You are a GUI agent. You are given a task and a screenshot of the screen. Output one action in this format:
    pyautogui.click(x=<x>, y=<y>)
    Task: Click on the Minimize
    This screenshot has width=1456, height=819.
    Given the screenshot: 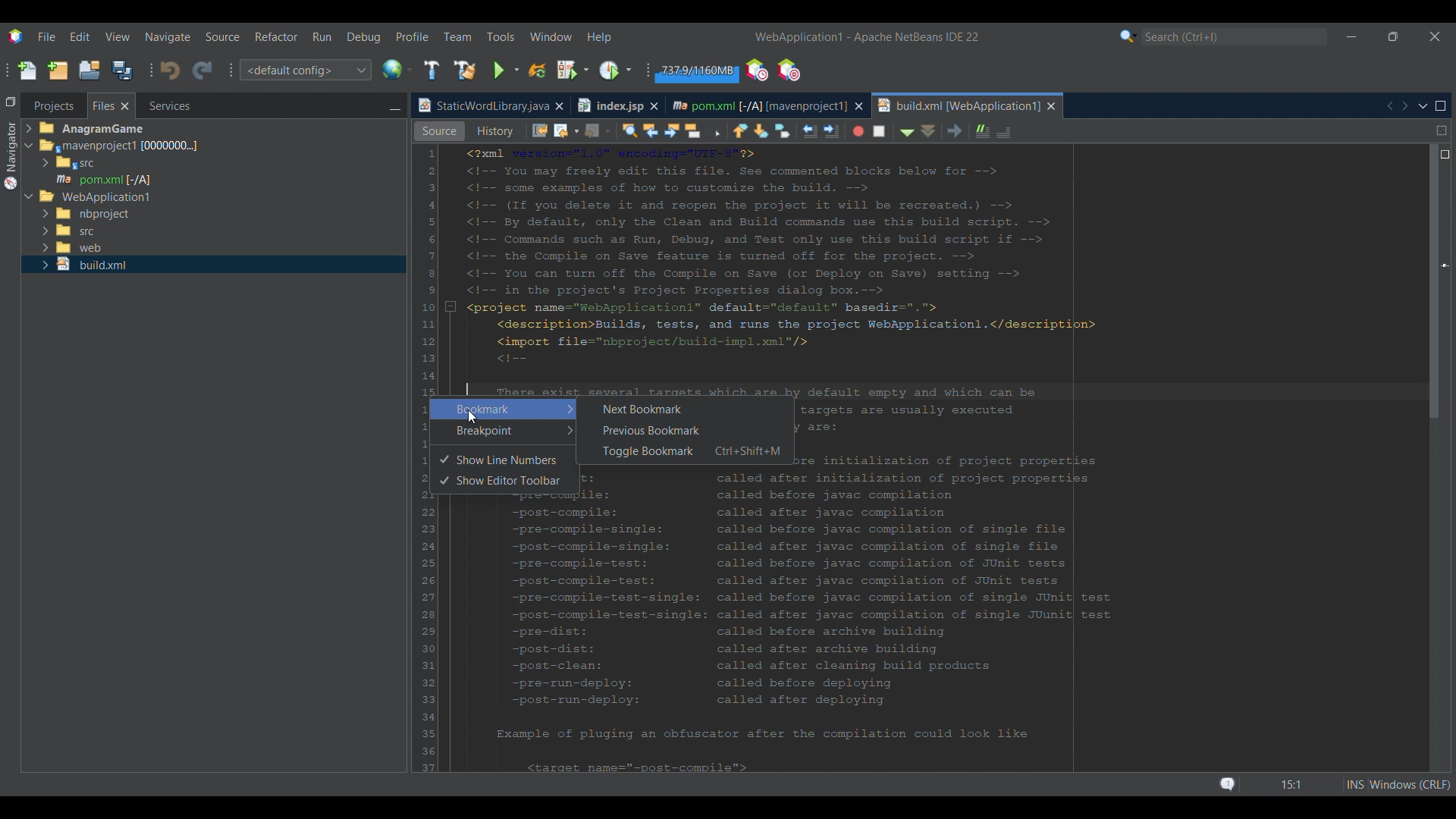 What is the action you would take?
    pyautogui.click(x=394, y=107)
    